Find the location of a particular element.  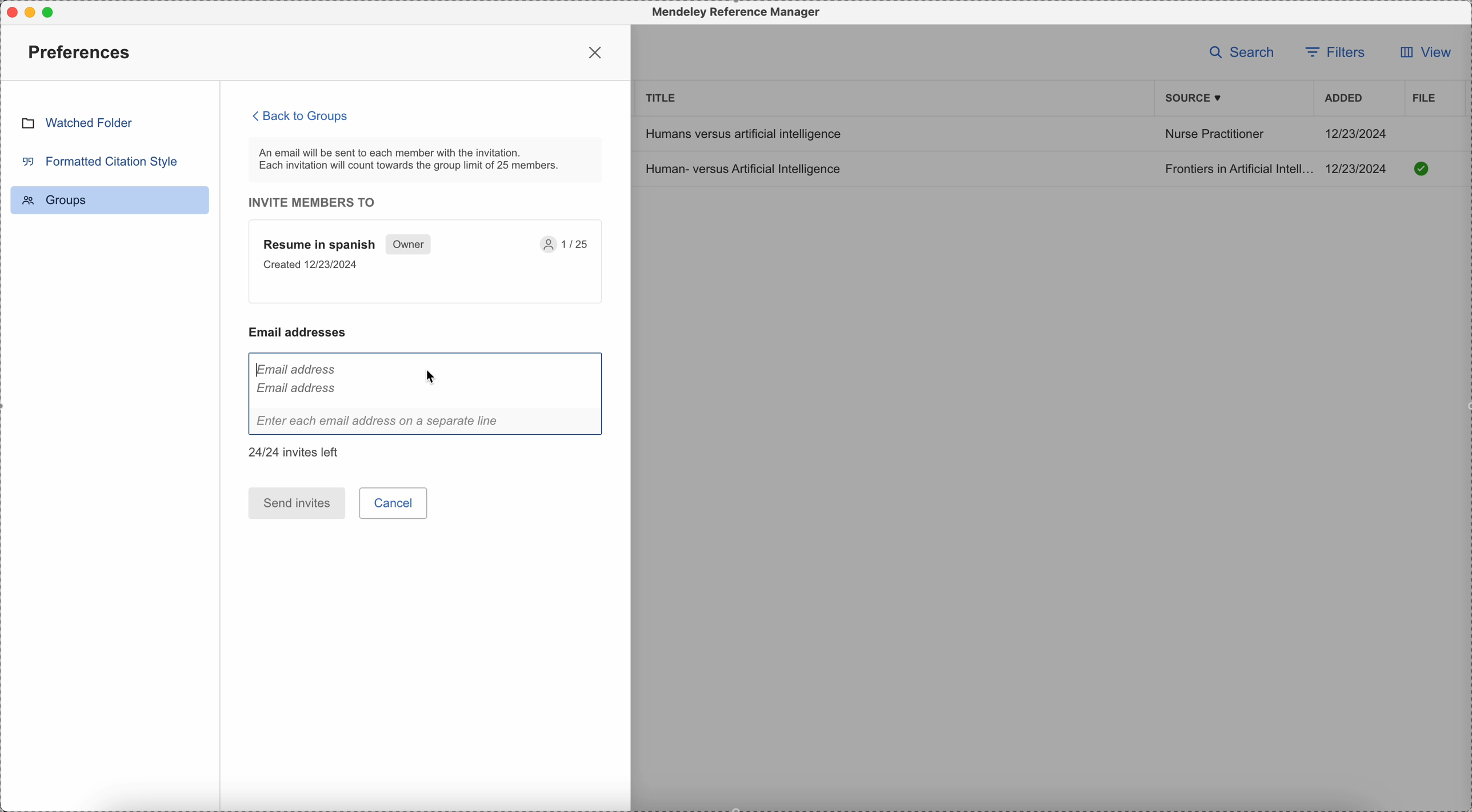

back to groups is located at coordinates (301, 115).